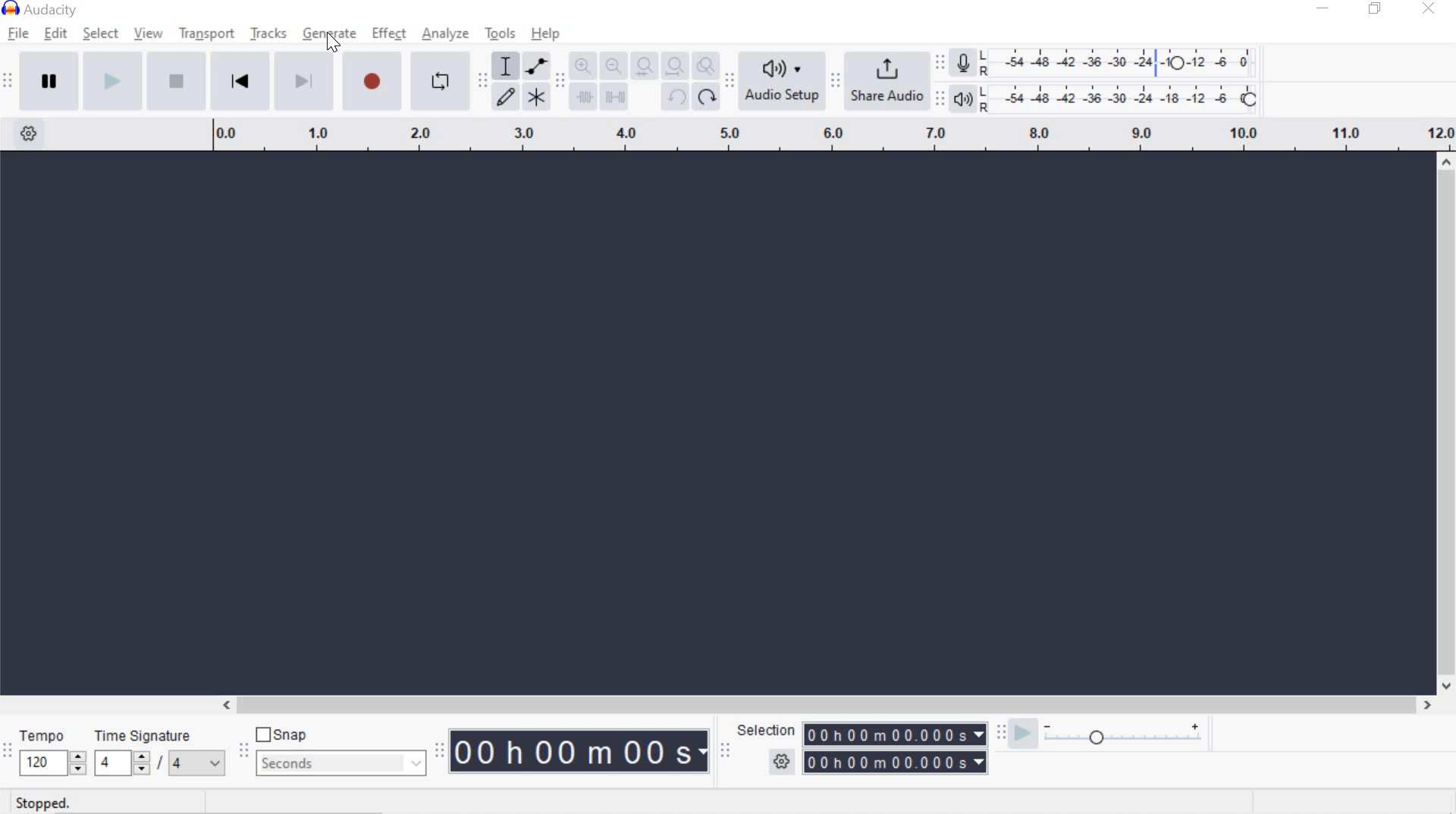 This screenshot has width=1456, height=814. Describe the element at coordinates (886, 80) in the screenshot. I see `Share audio` at that location.